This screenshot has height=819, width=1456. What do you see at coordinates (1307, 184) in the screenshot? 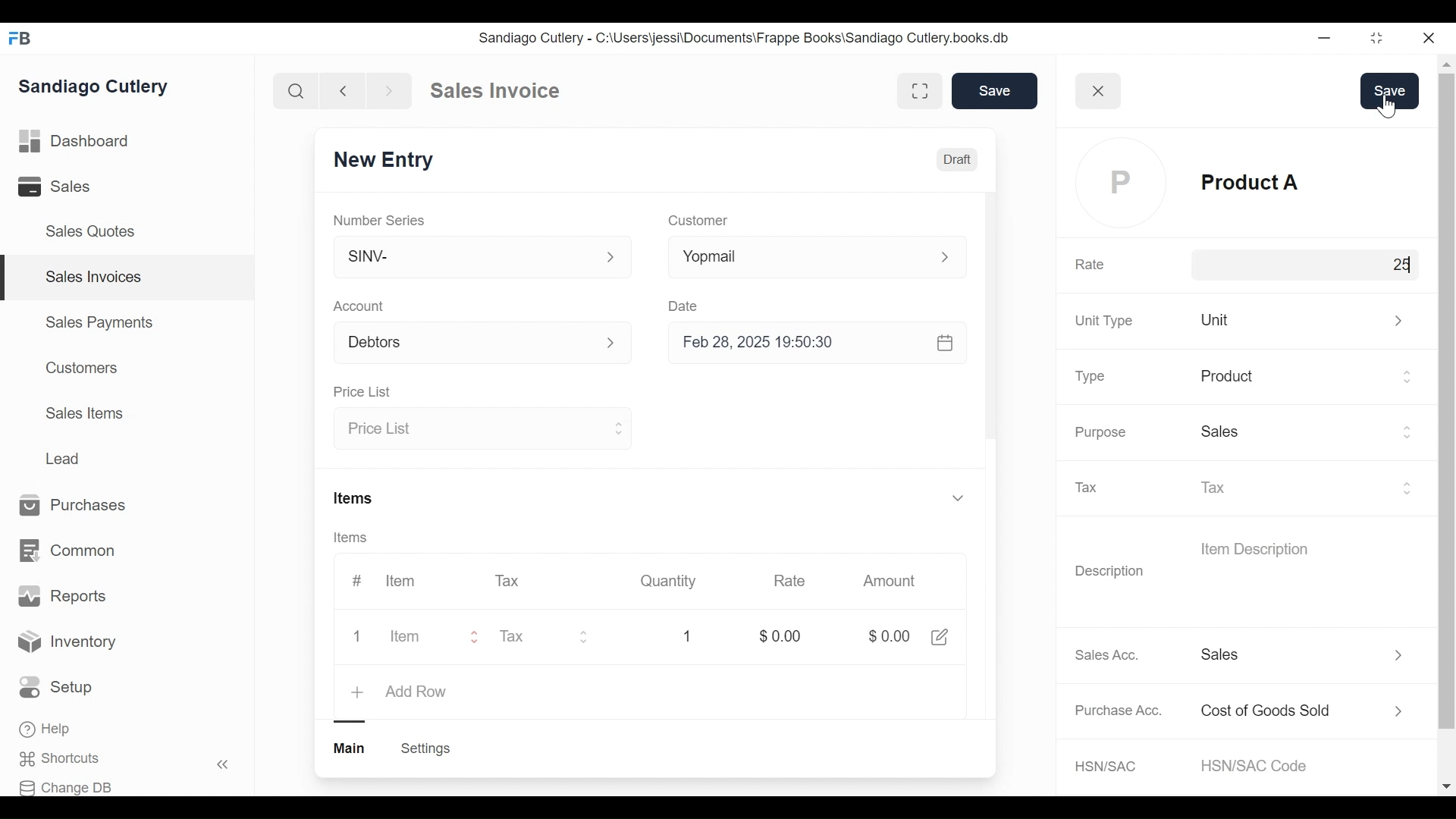
I see `Product A` at bounding box center [1307, 184].